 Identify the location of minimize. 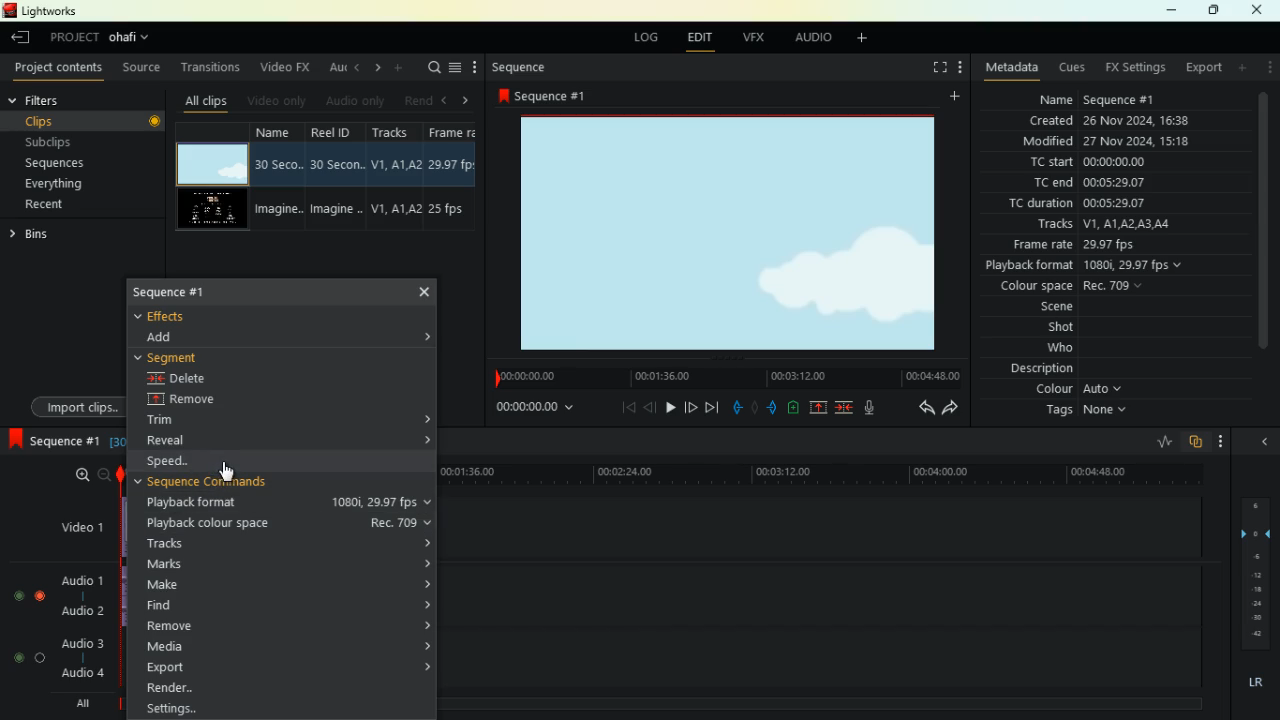
(1166, 11).